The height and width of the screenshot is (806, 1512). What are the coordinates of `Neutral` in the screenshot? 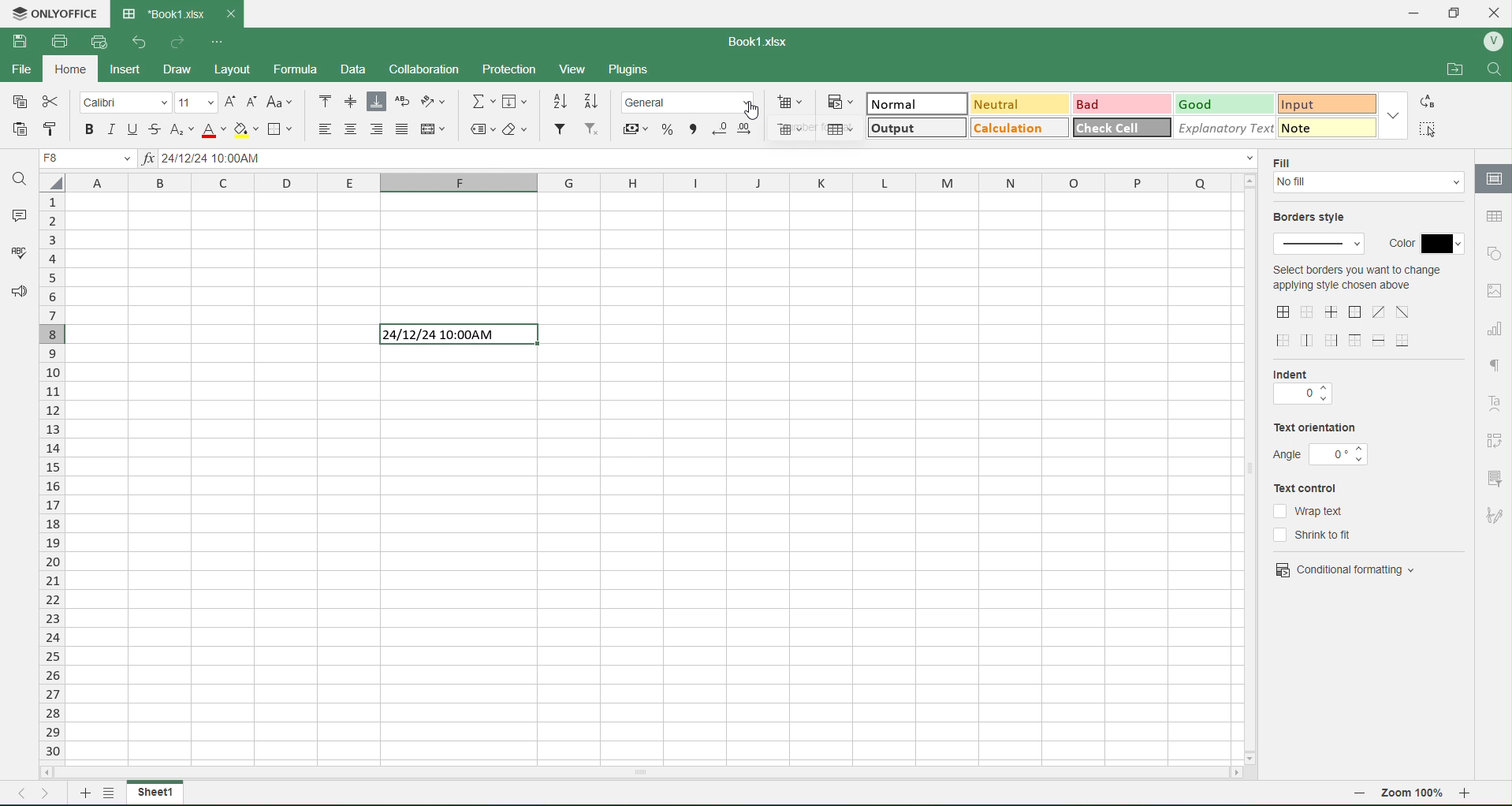 It's located at (996, 104).